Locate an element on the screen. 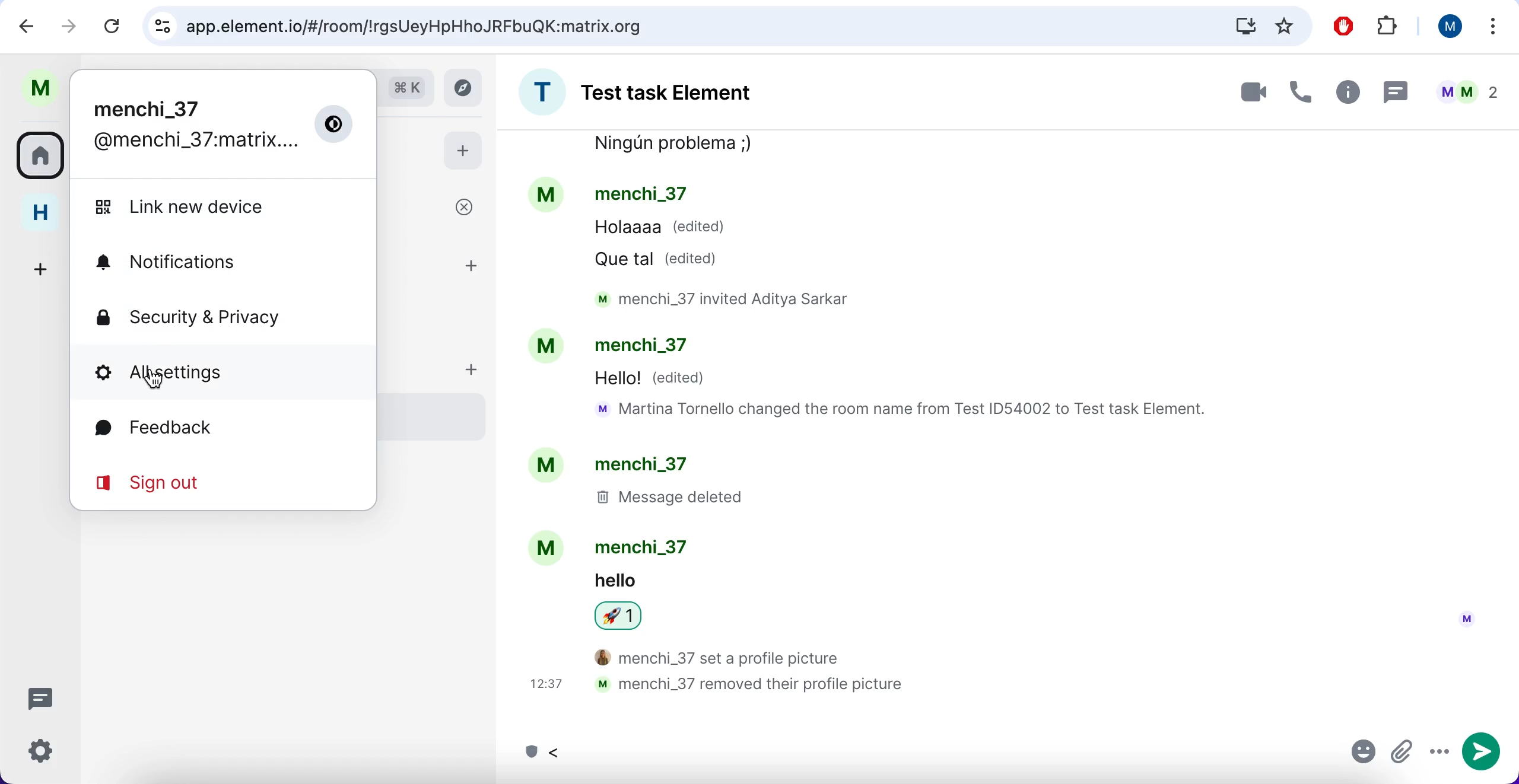  search bar is located at coordinates (724, 26).